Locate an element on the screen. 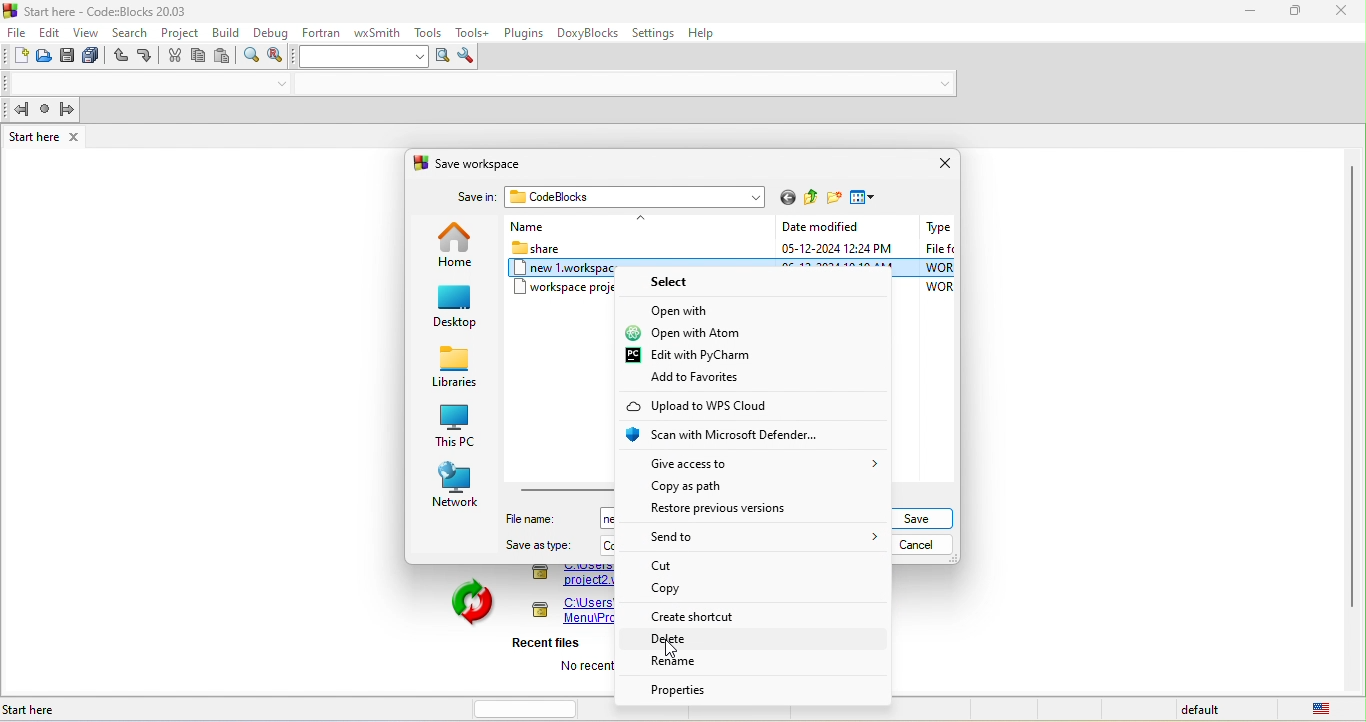 This screenshot has height=722, width=1366. Type is located at coordinates (937, 227).